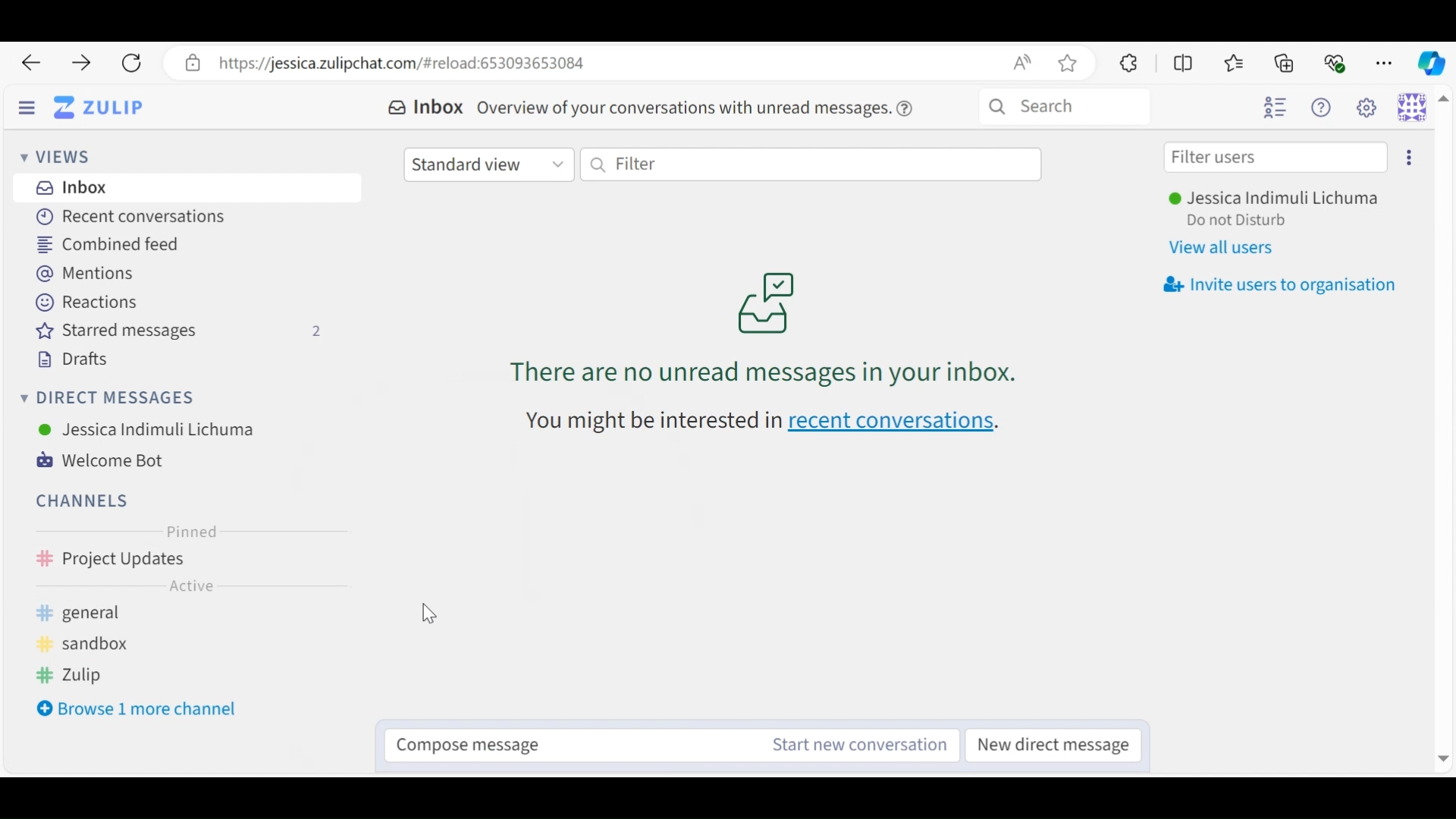 This screenshot has width=1456, height=819. Describe the element at coordinates (1238, 221) in the screenshot. I see `Status` at that location.